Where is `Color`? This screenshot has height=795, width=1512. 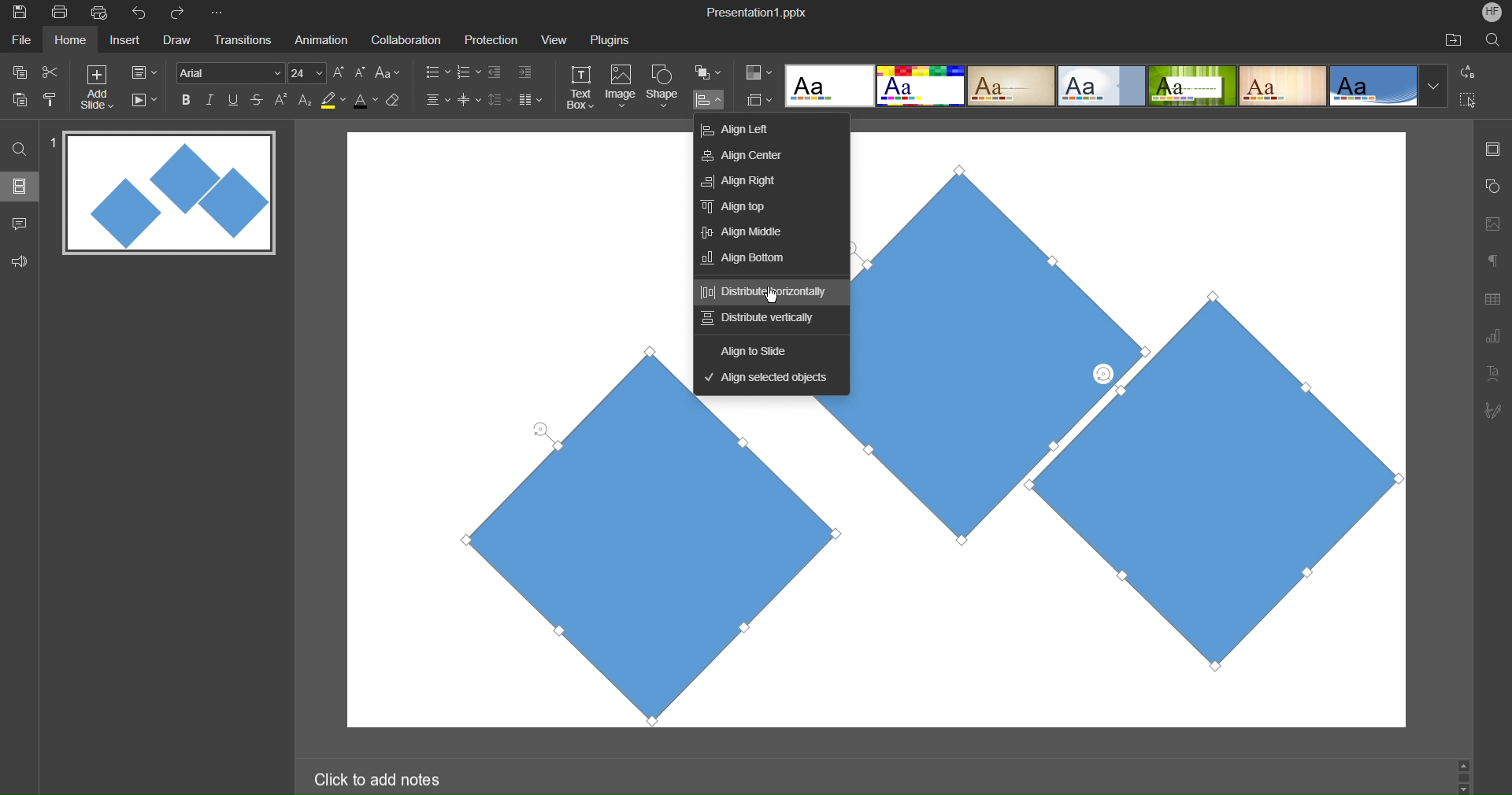
Color is located at coordinates (759, 72).